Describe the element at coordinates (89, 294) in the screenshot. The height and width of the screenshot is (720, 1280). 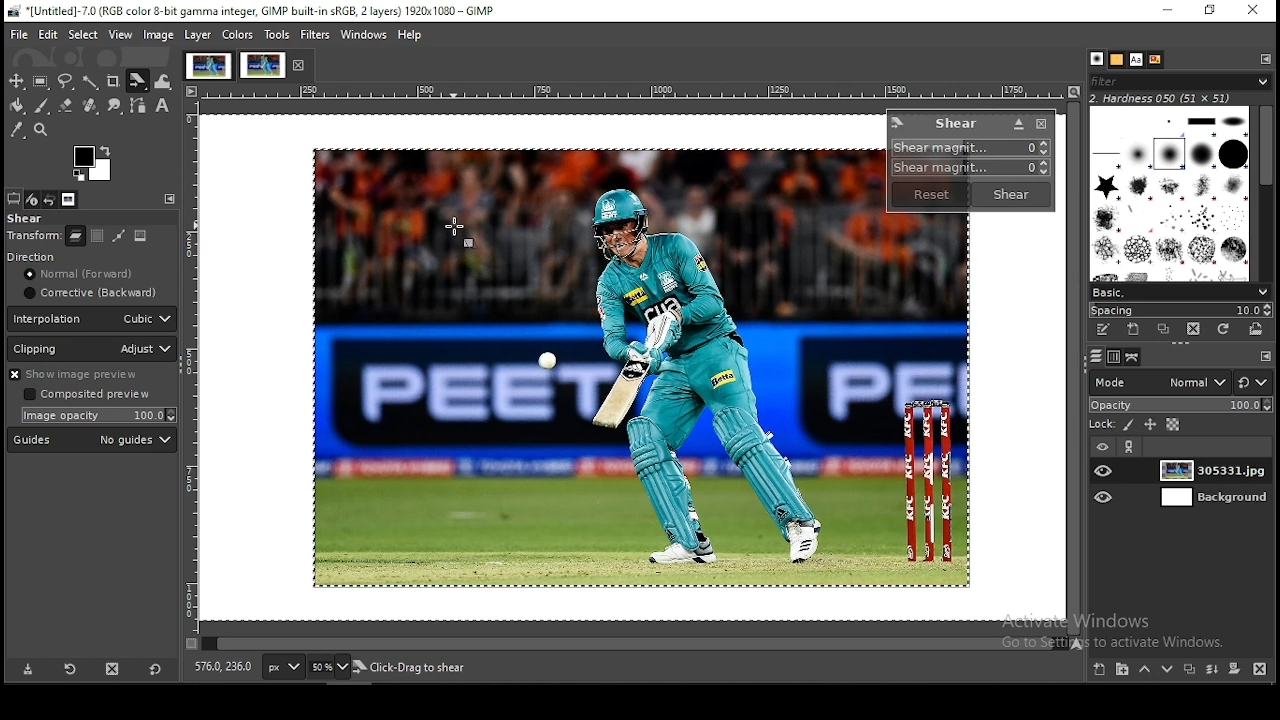
I see `corrective (backward)` at that location.